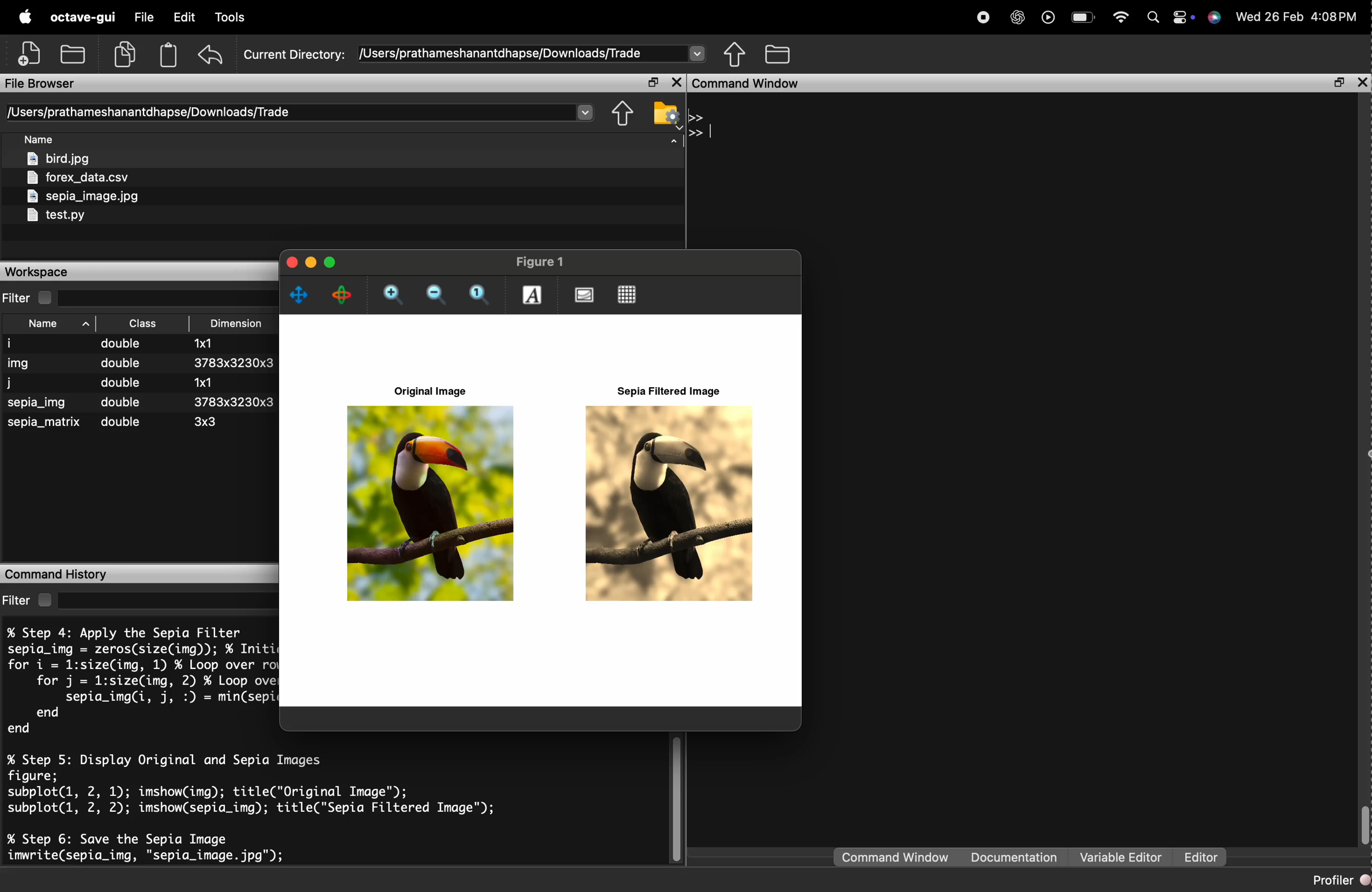 This screenshot has height=892, width=1372. Describe the element at coordinates (1203, 856) in the screenshot. I see `Editor` at that location.